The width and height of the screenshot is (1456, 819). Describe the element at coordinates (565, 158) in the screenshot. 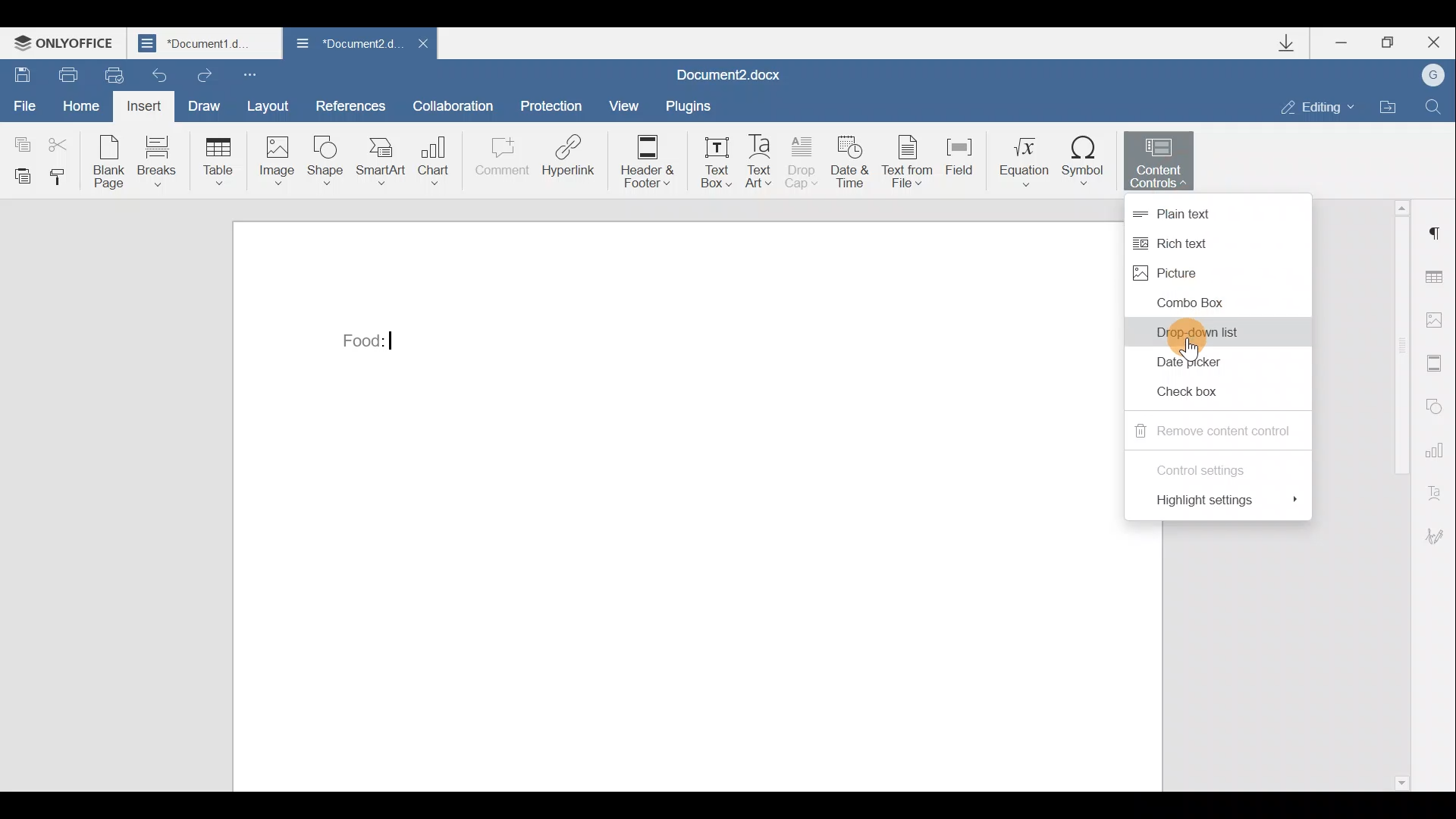

I see `Hyperlink` at that location.